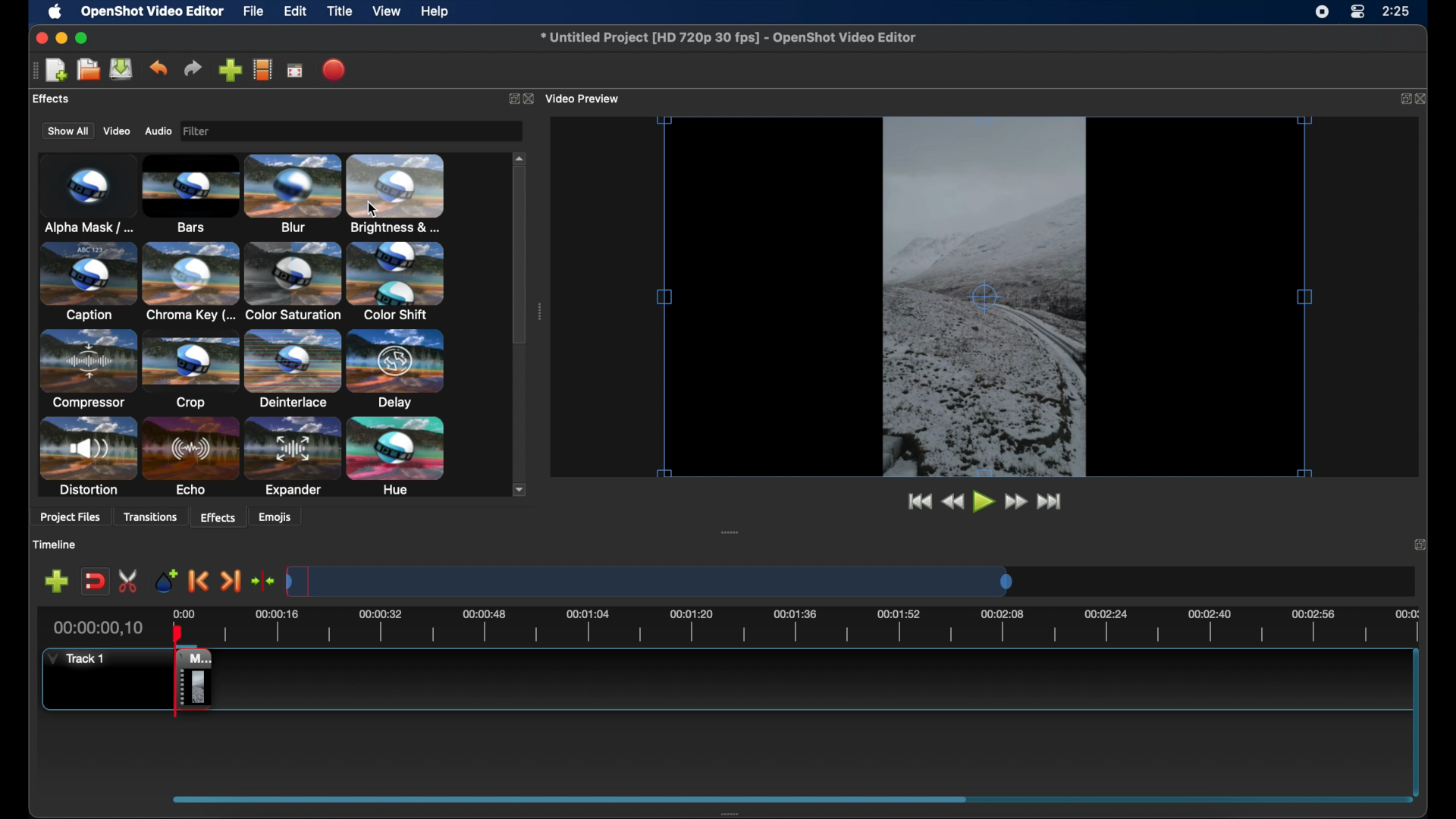 Image resolution: width=1456 pixels, height=819 pixels. What do you see at coordinates (229, 70) in the screenshot?
I see `import files` at bounding box center [229, 70].